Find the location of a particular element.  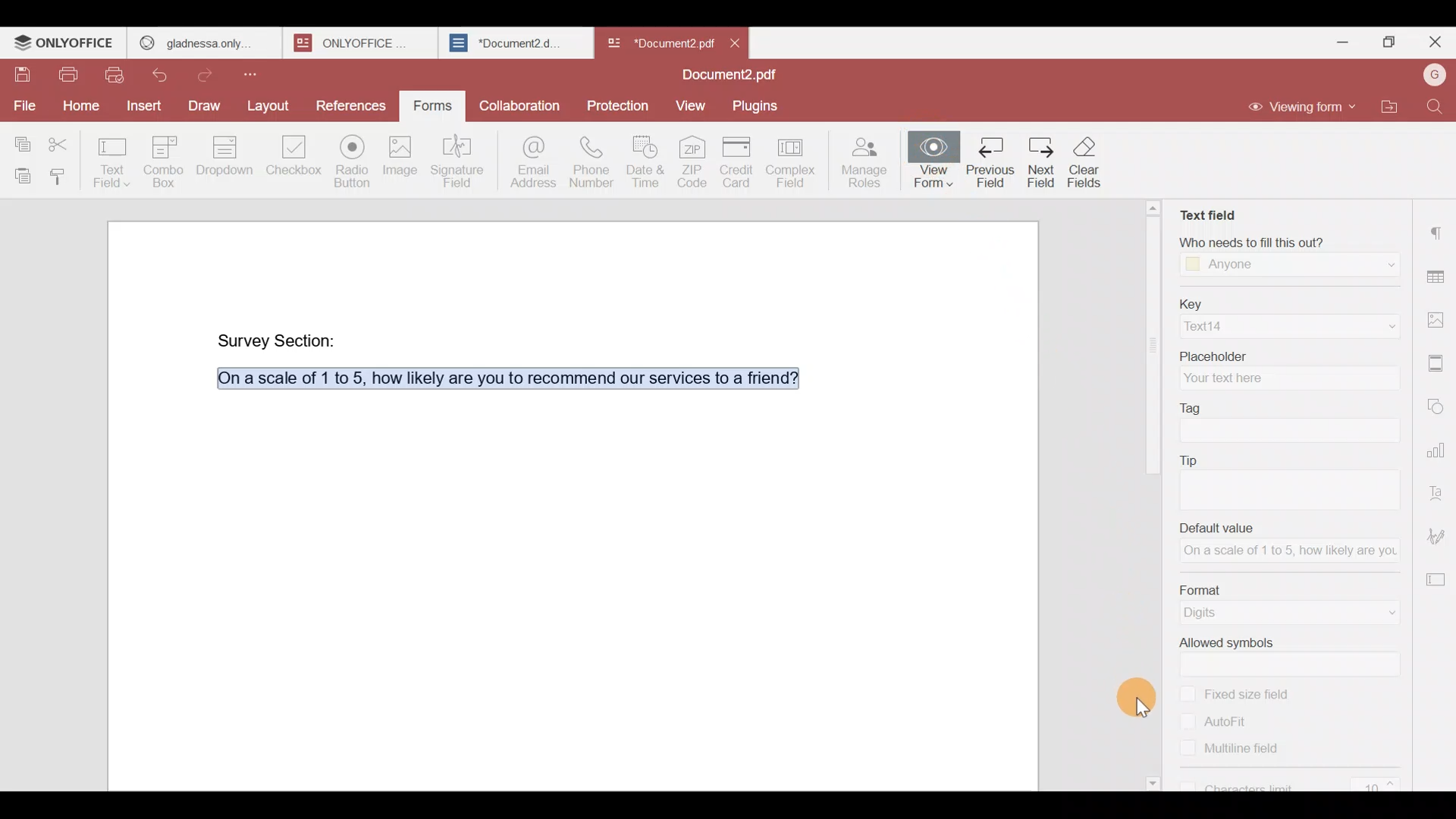

Collaboration is located at coordinates (522, 108).